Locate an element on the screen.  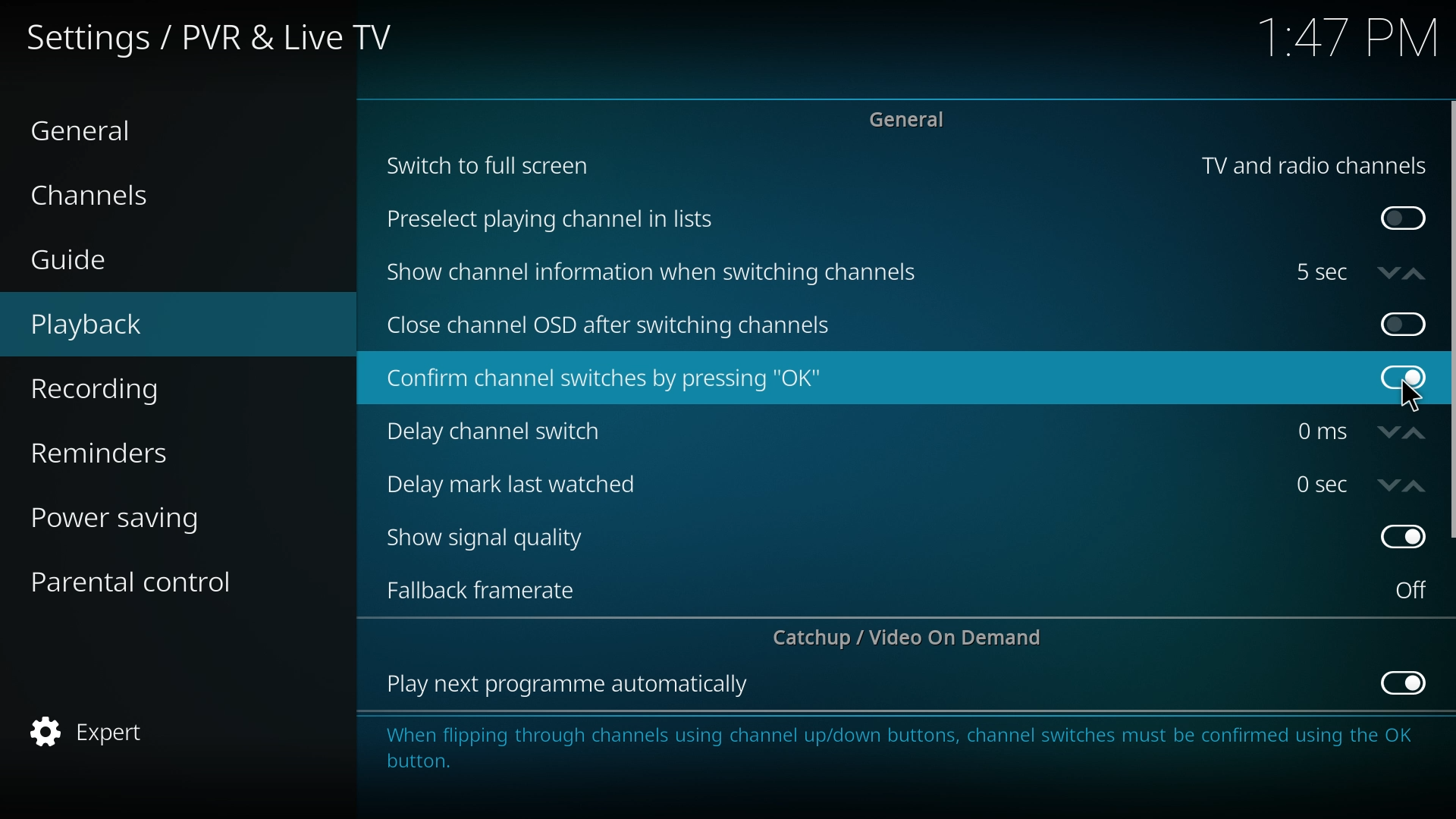
off is located at coordinates (1401, 538).